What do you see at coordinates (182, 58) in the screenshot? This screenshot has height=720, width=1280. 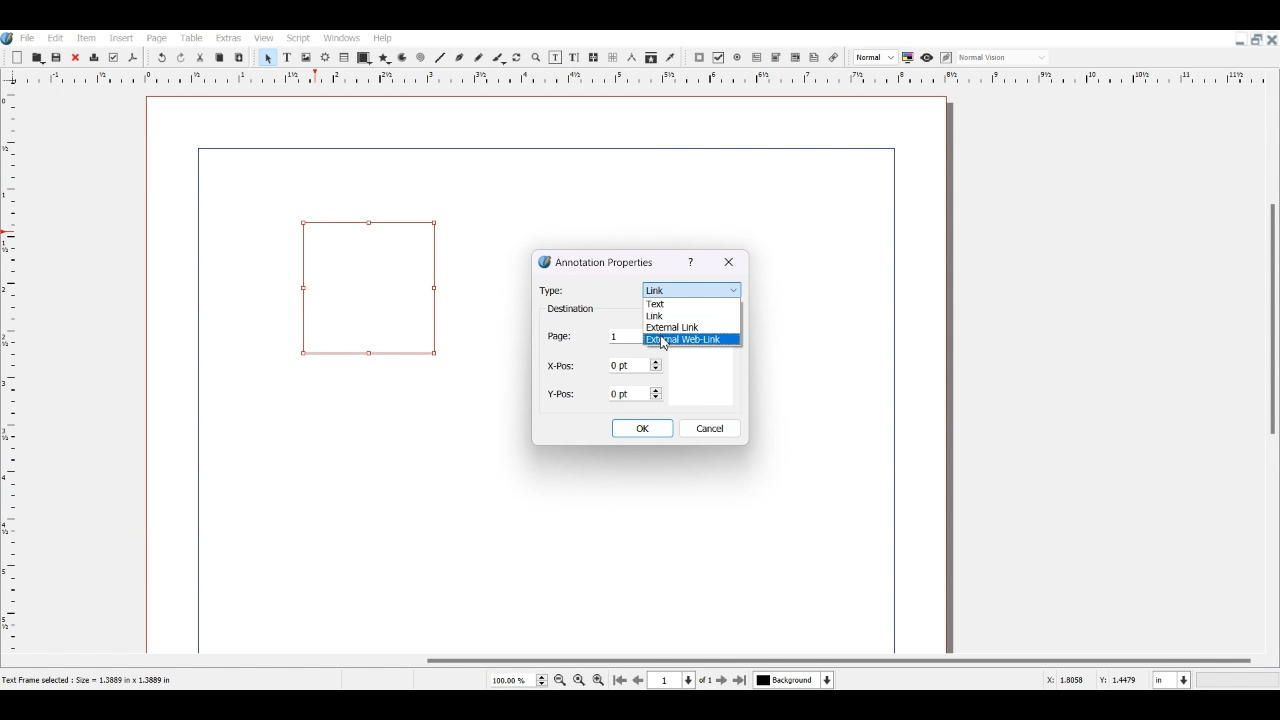 I see `Redo` at bounding box center [182, 58].